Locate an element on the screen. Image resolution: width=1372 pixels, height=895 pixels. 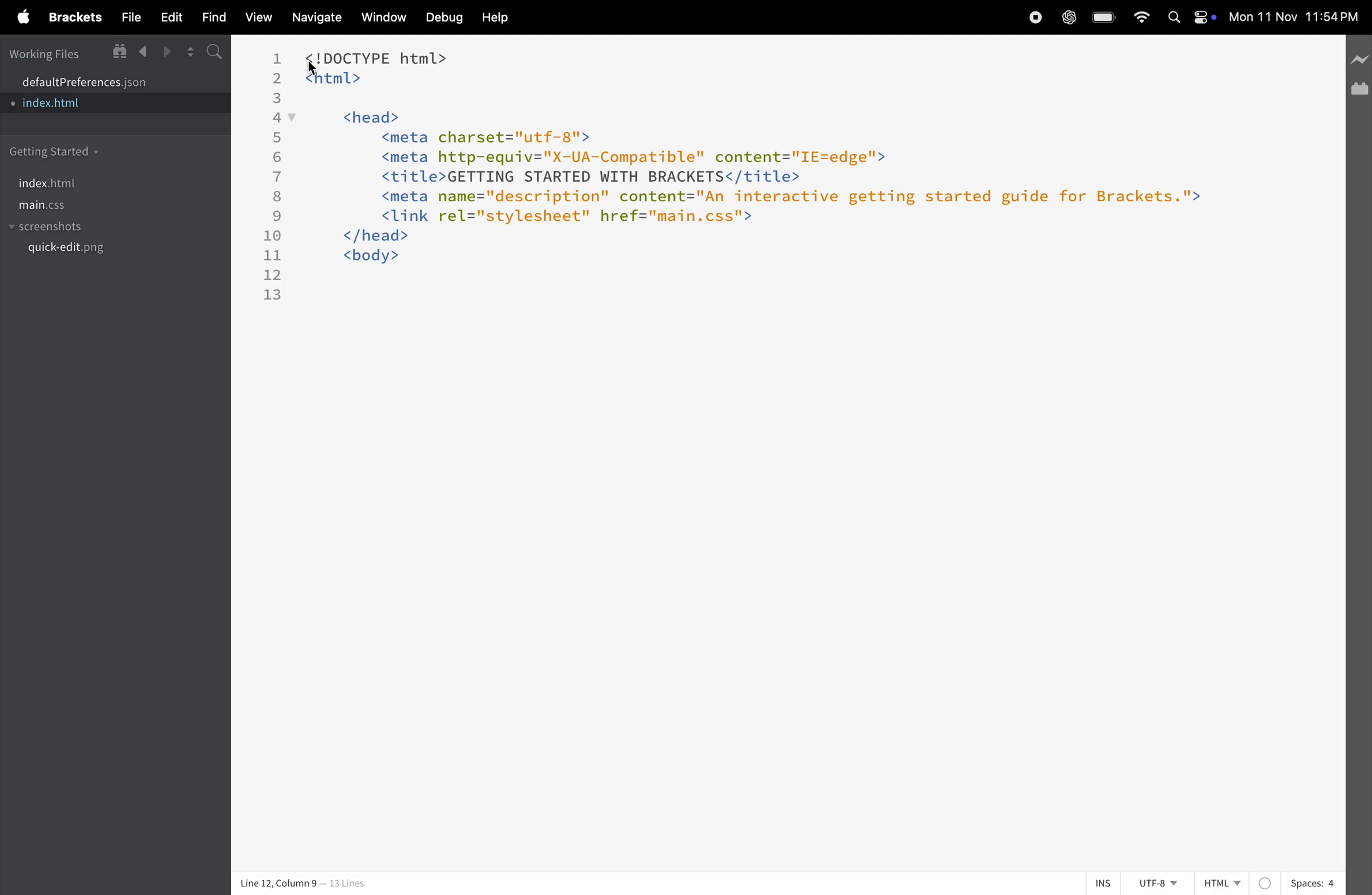
index.html is located at coordinates (98, 104).